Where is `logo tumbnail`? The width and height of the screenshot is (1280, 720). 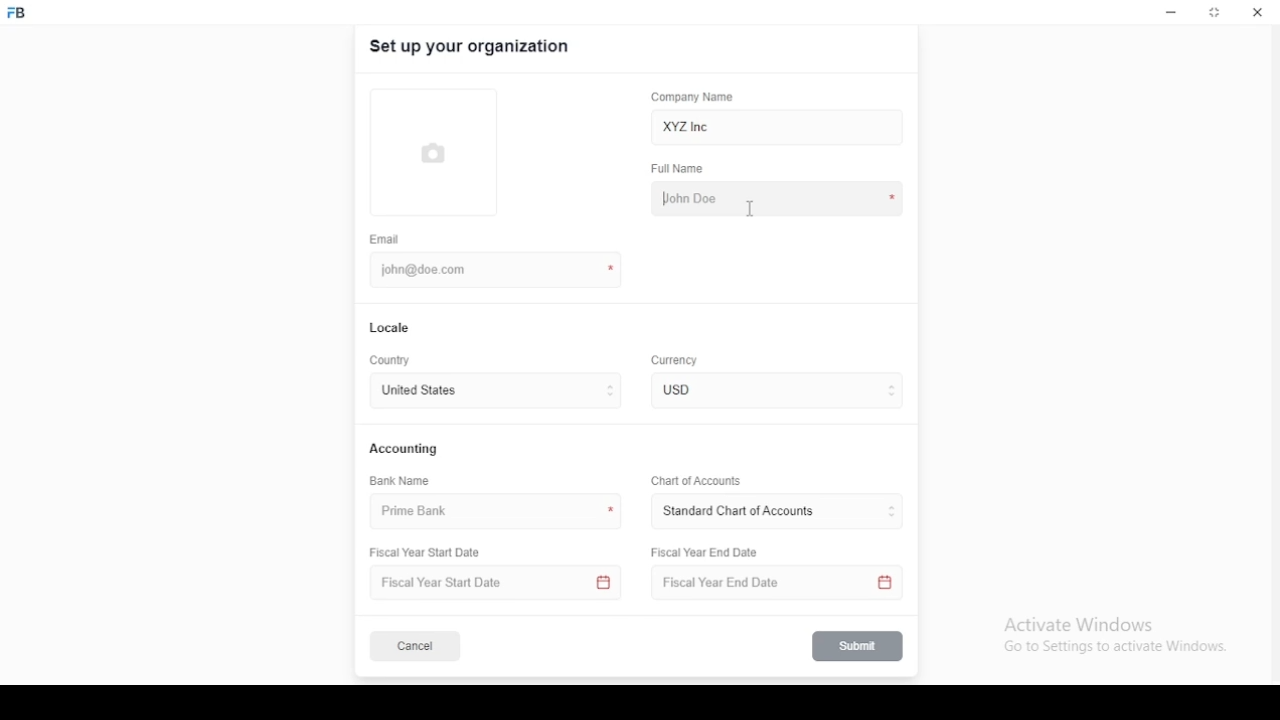 logo tumbnail is located at coordinates (437, 155).